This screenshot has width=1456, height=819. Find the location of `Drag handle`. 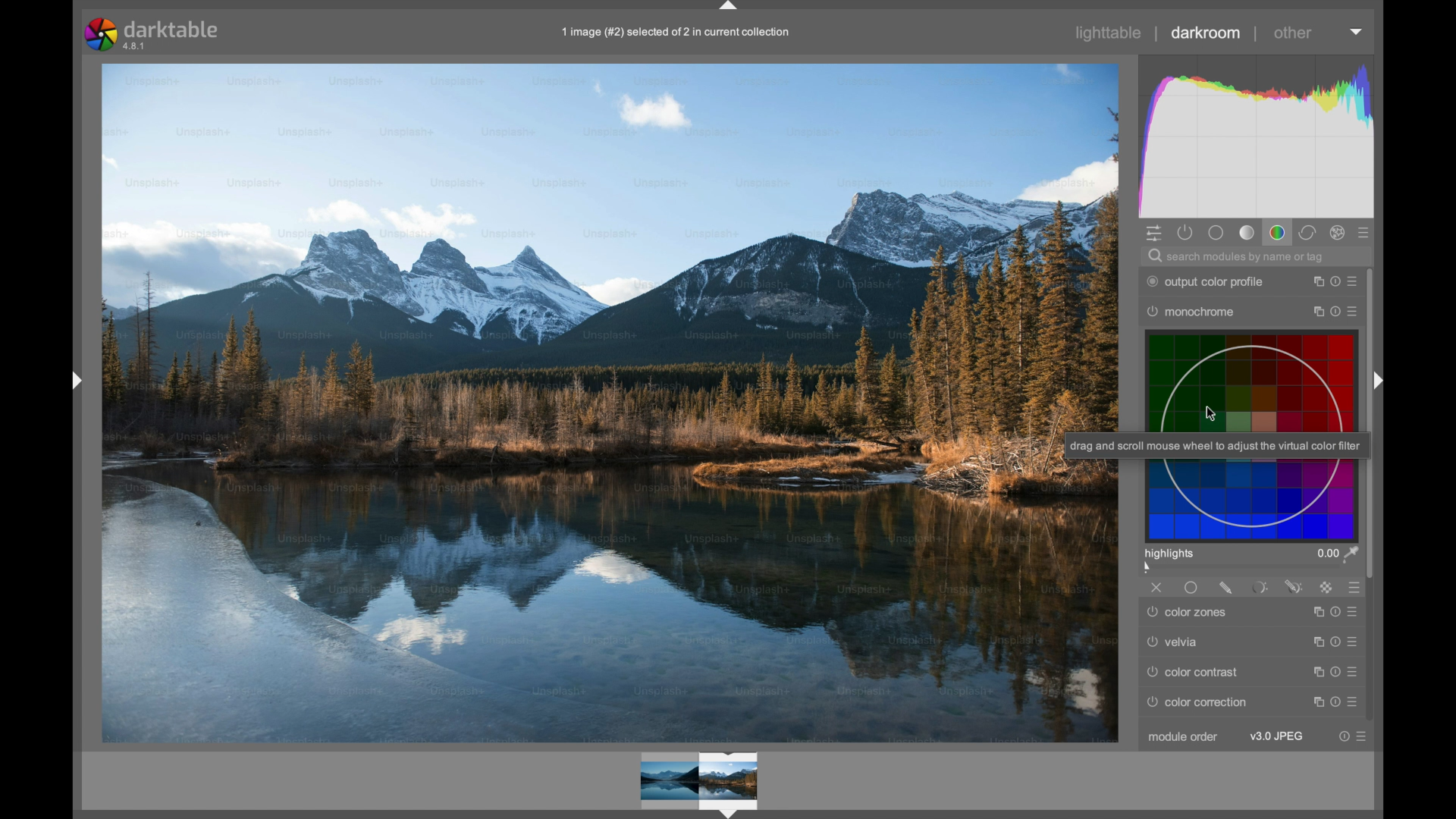

Drag handle is located at coordinates (1380, 382).